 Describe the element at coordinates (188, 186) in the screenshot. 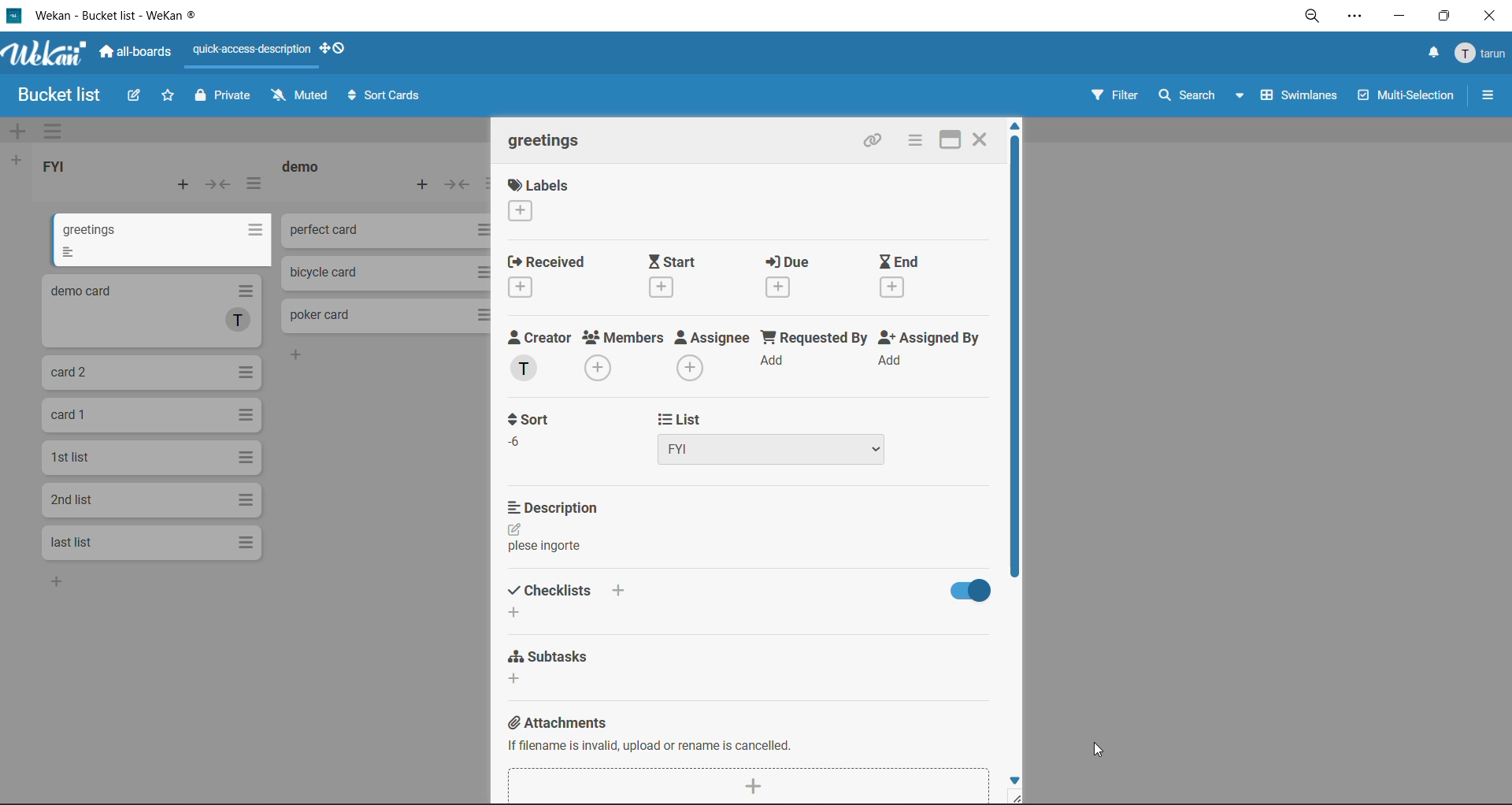

I see `add card` at that location.